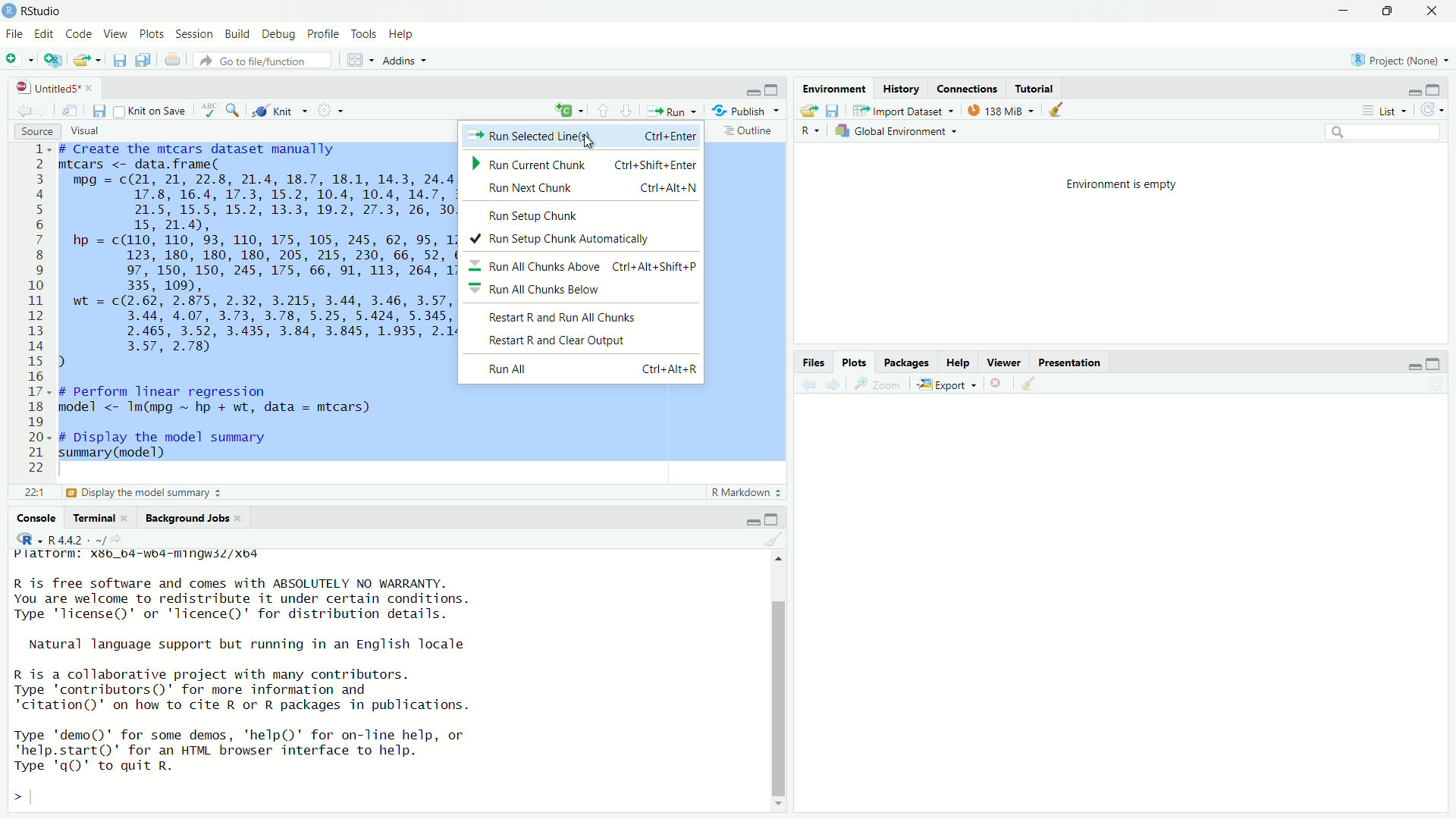 This screenshot has height=819, width=1456. I want to click on open file, so click(86, 60).